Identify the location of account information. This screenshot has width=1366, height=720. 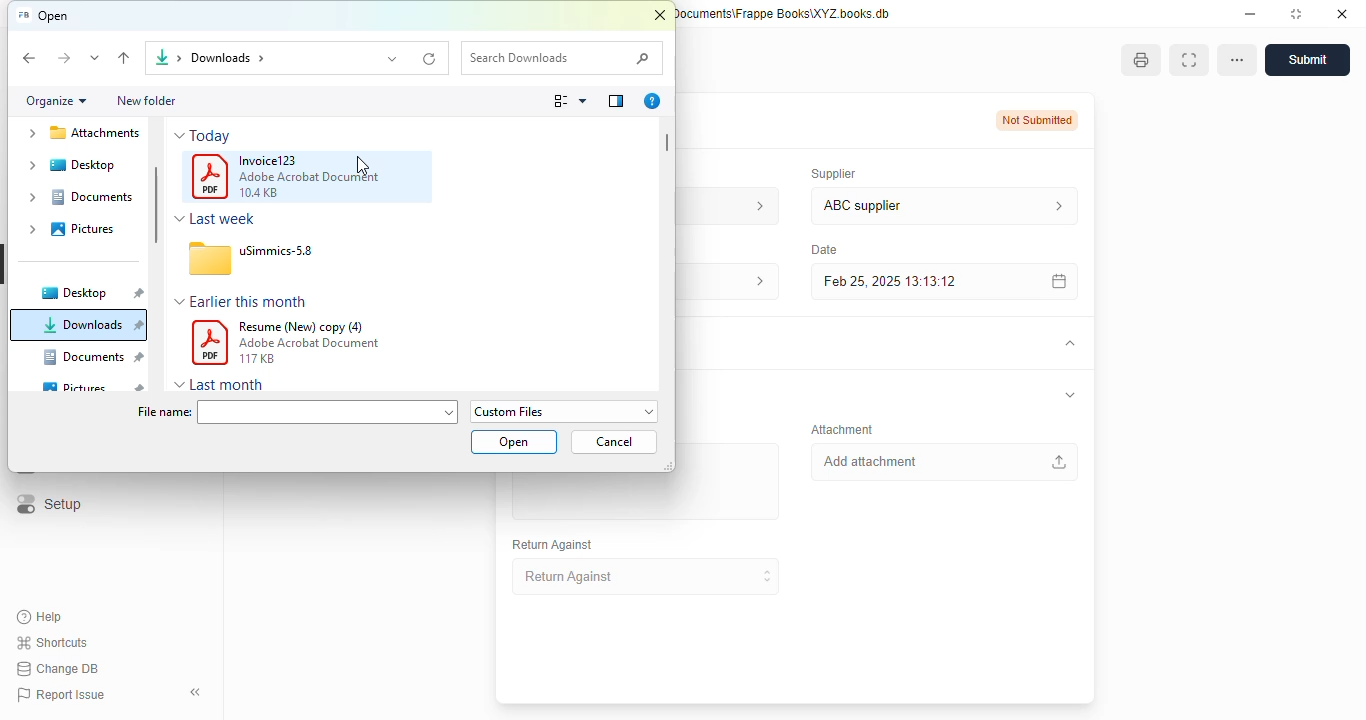
(753, 282).